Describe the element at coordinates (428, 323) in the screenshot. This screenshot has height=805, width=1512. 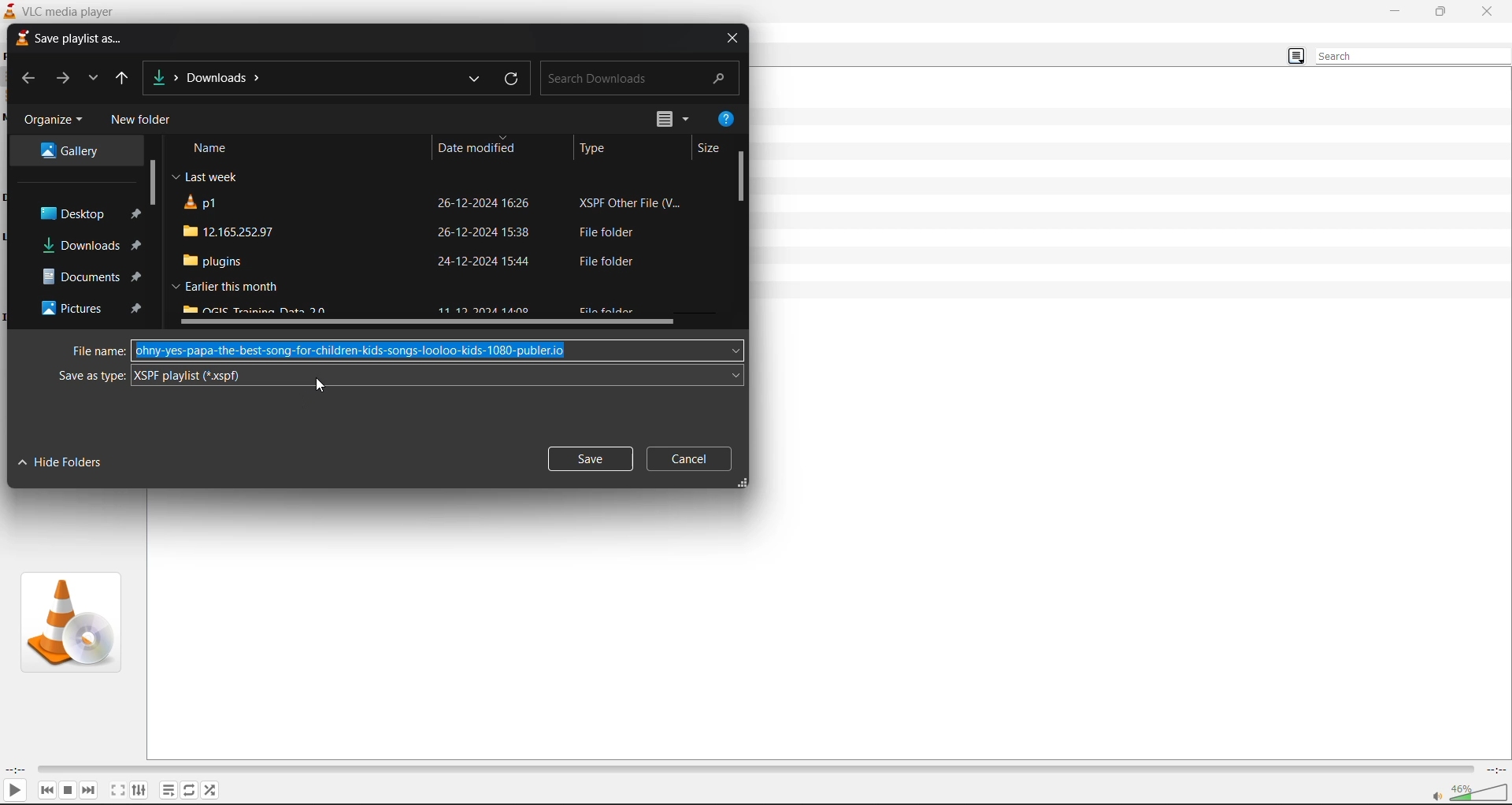
I see `horizontal scroll bar` at that location.